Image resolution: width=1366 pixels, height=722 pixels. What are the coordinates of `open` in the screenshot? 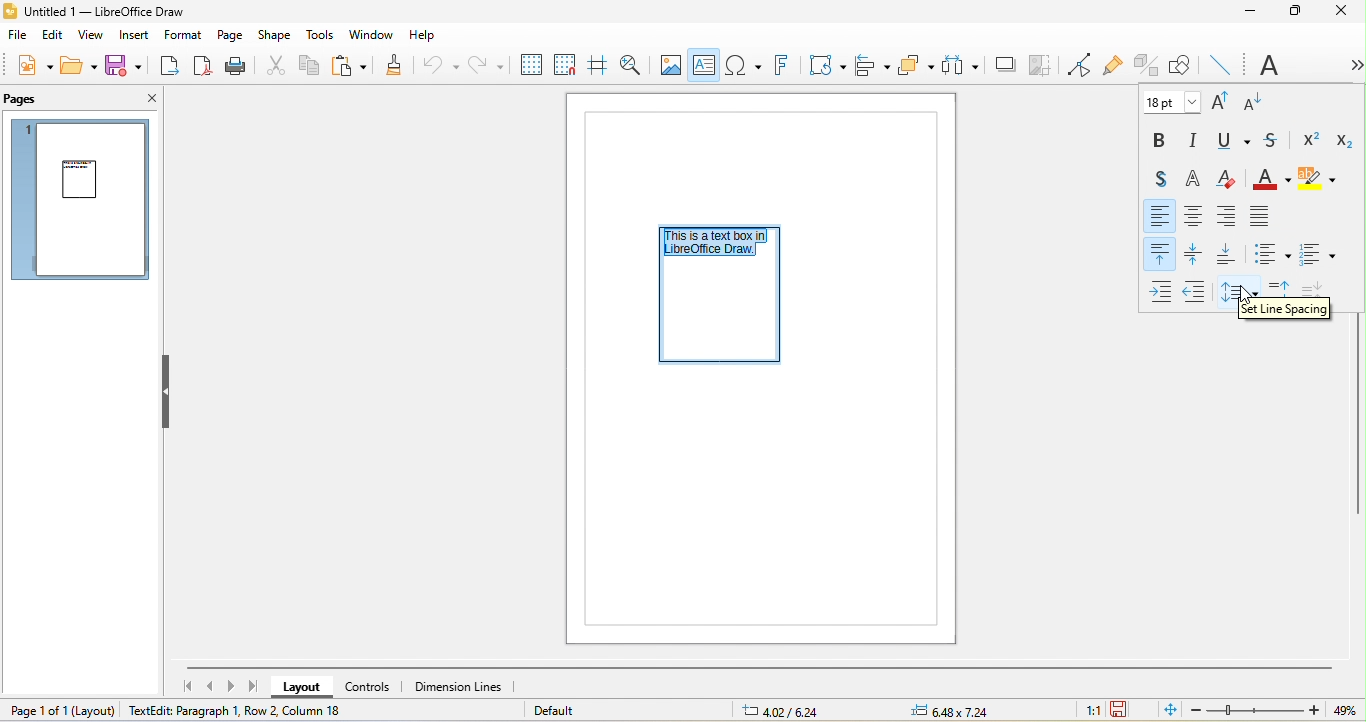 It's located at (78, 65).